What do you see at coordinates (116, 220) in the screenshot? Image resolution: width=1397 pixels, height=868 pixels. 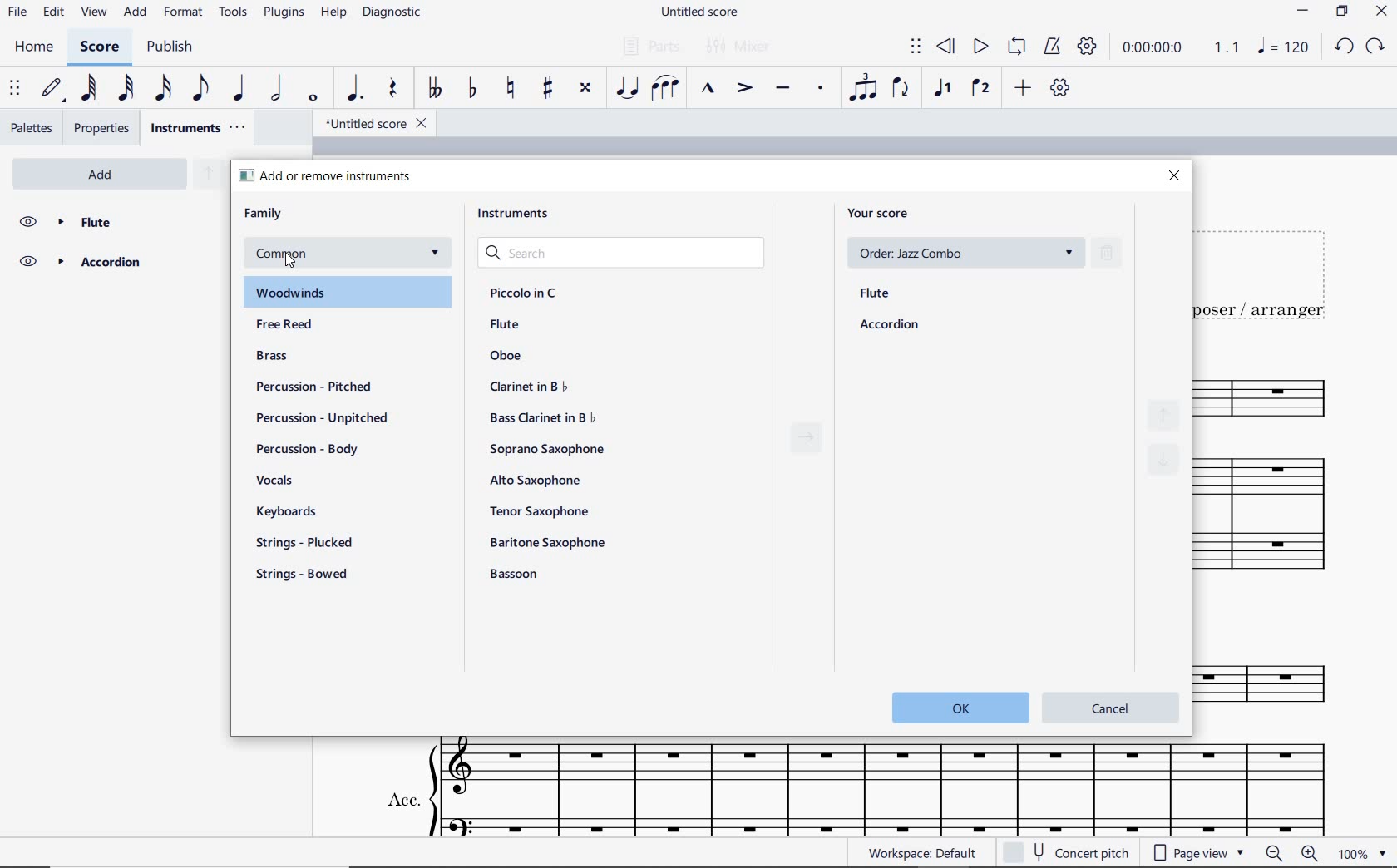 I see `flute` at bounding box center [116, 220].